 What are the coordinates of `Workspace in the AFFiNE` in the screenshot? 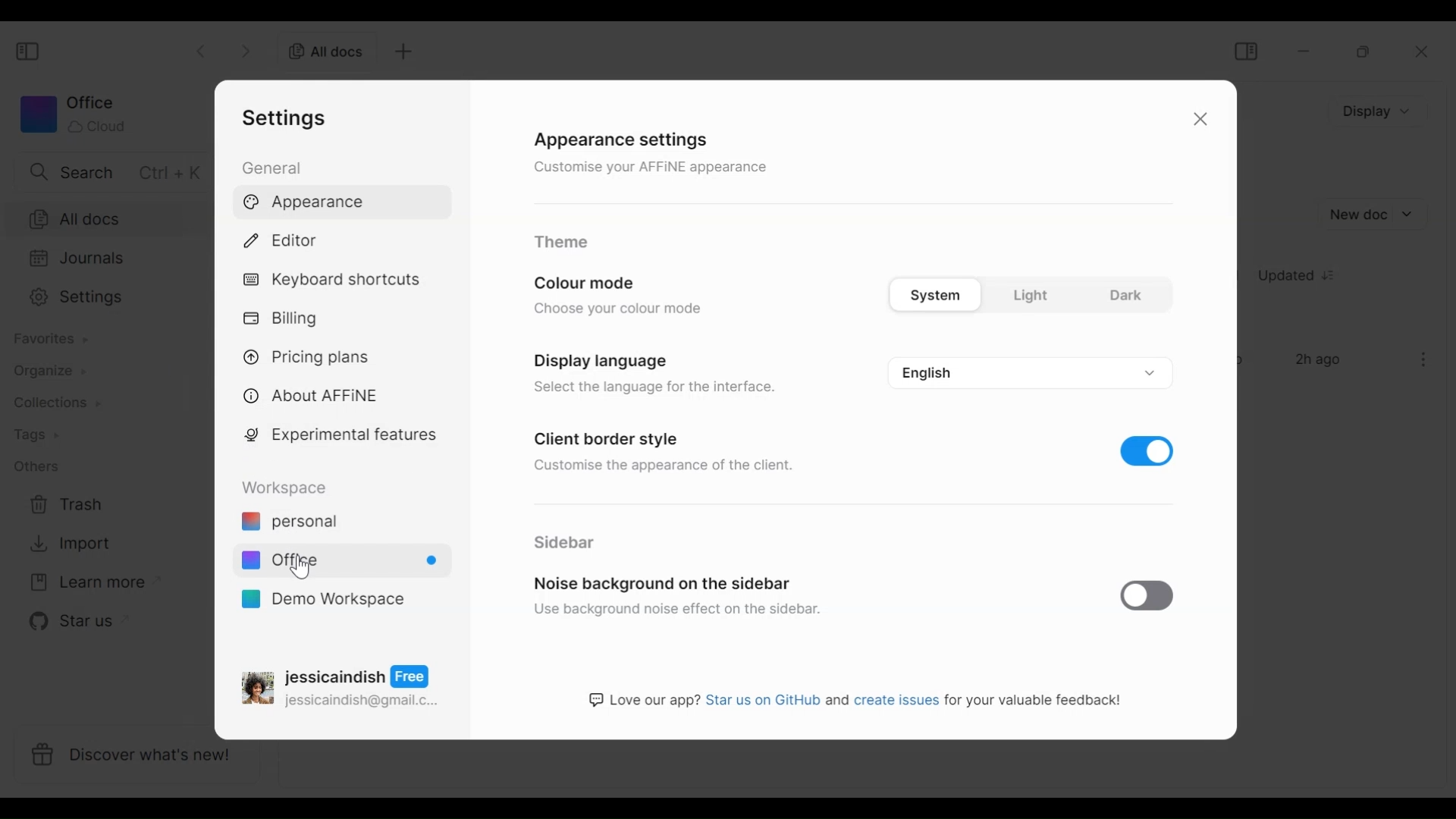 It's located at (339, 563).